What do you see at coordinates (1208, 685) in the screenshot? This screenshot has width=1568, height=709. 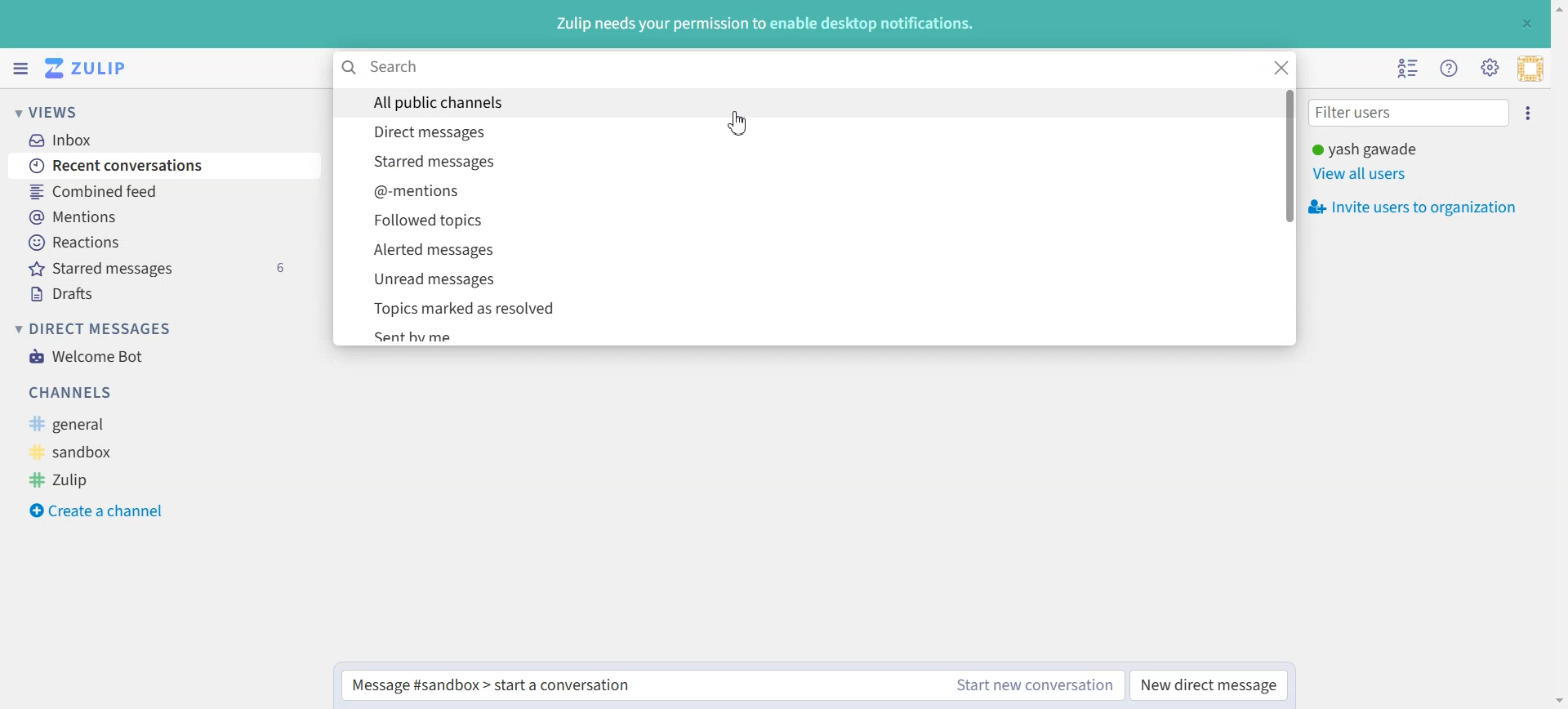 I see `New direct messages` at bounding box center [1208, 685].